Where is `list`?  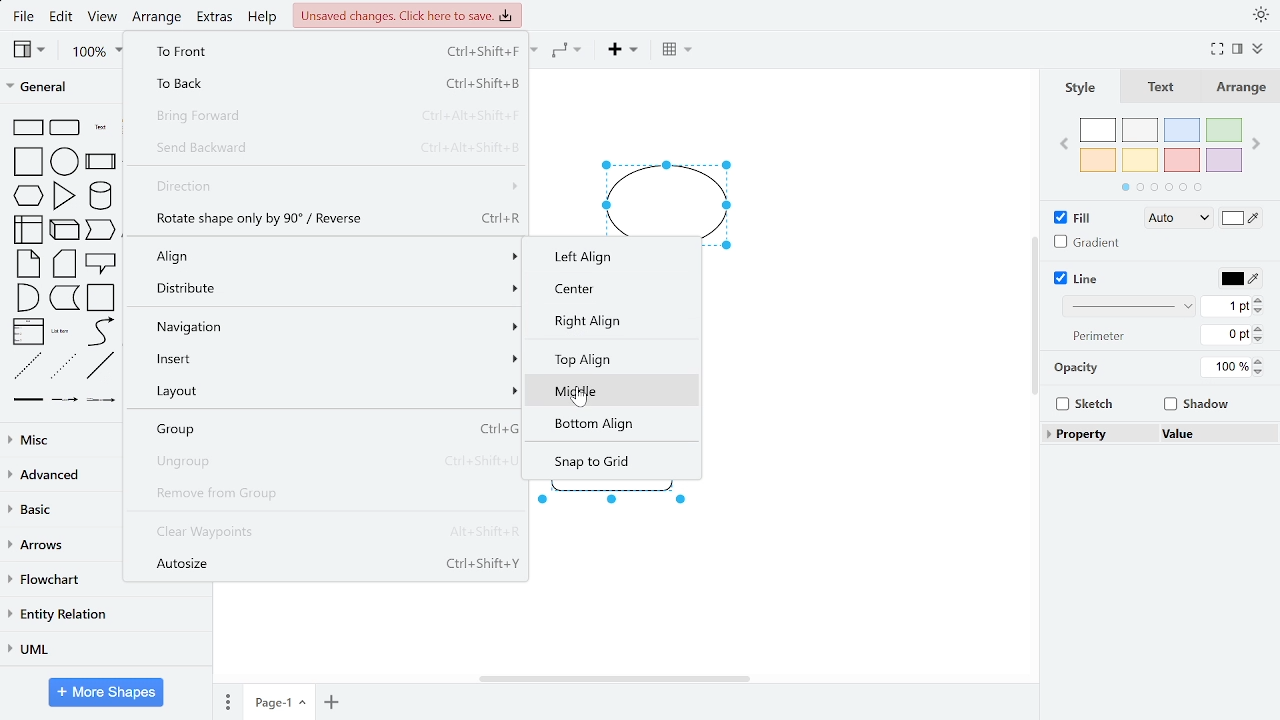 list is located at coordinates (29, 331).